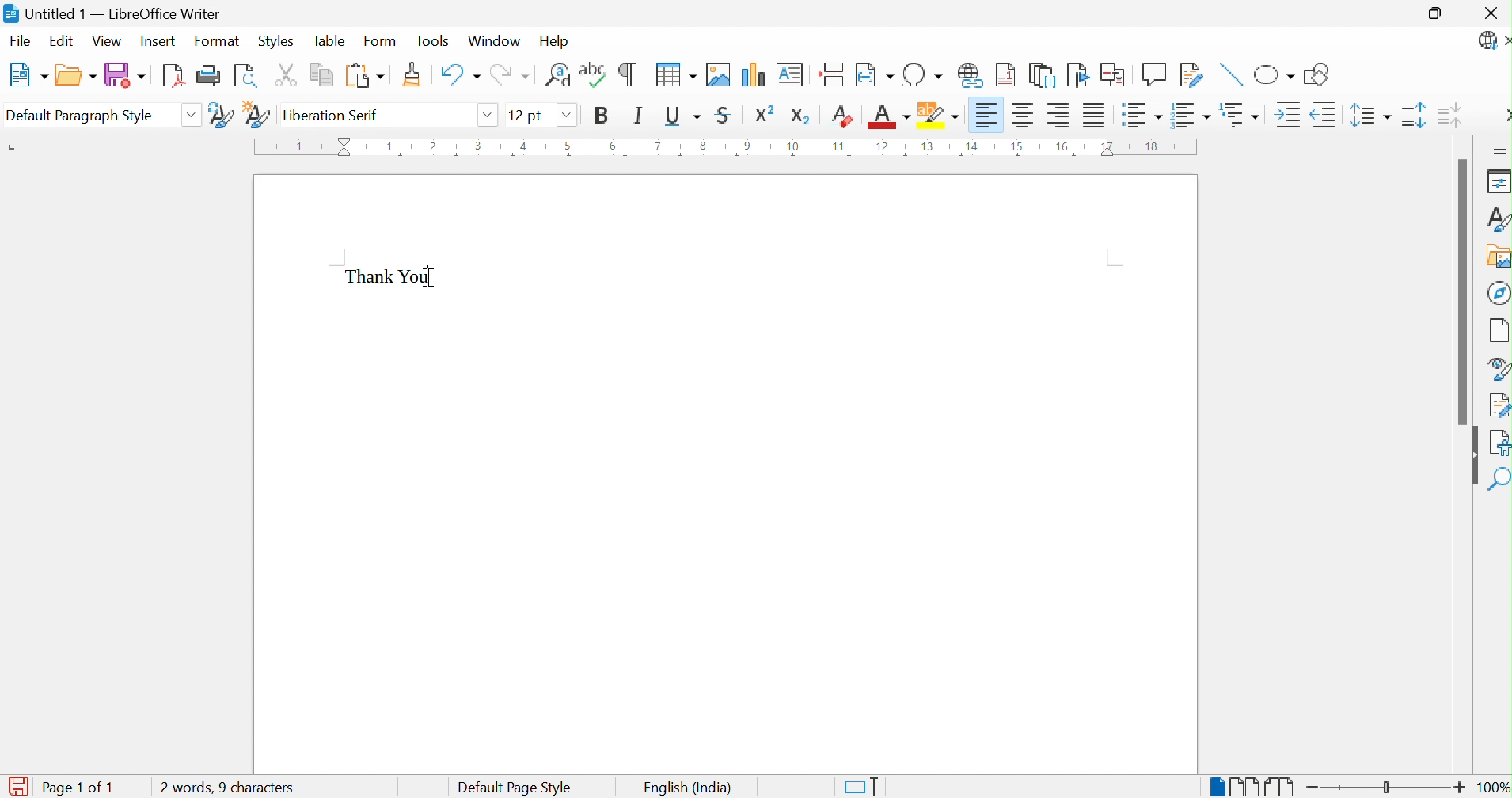 This screenshot has height=798, width=1512. Describe the element at coordinates (1492, 217) in the screenshot. I see `Styles` at that location.